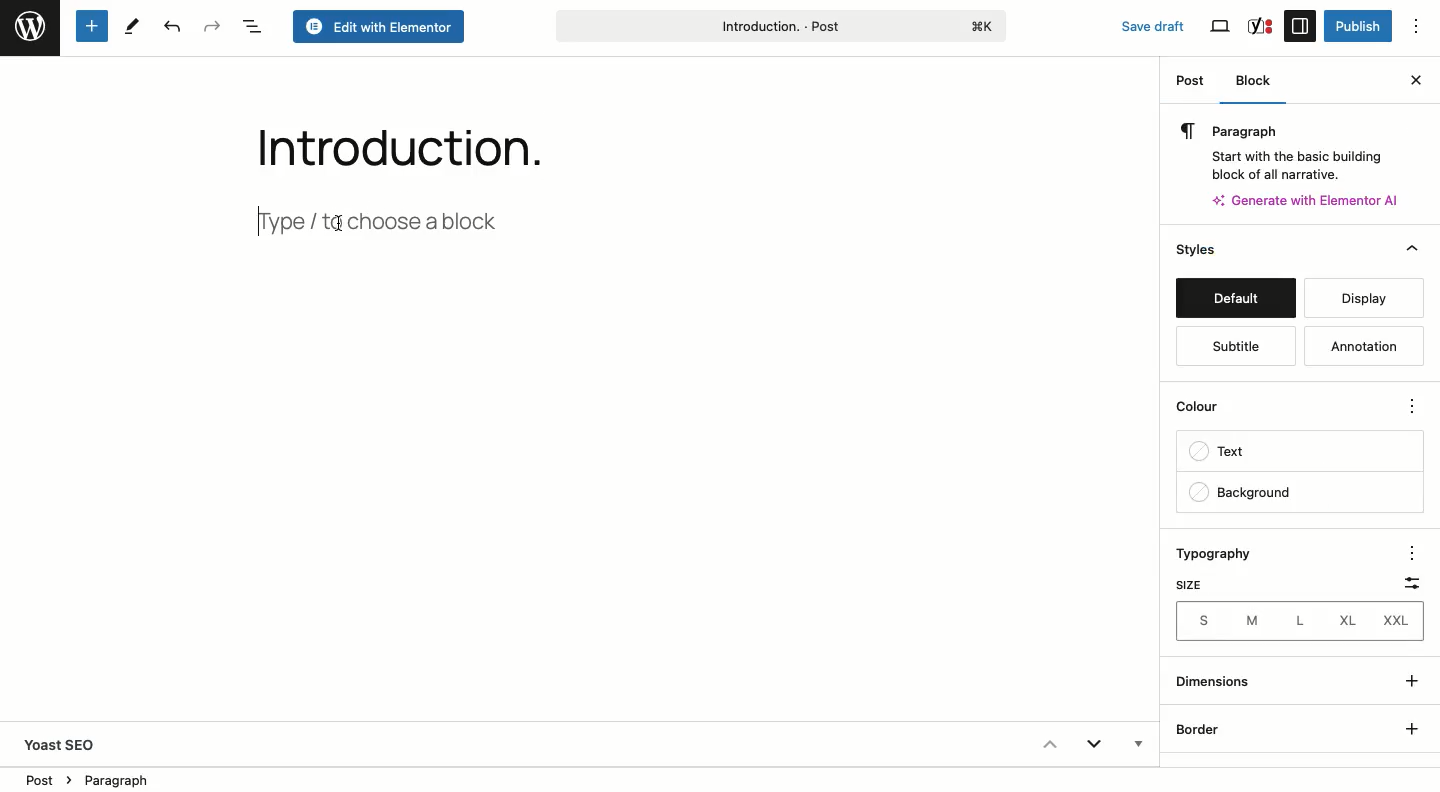 This screenshot has height=792, width=1440. Describe the element at coordinates (380, 28) in the screenshot. I see `Edit with Elementor` at that location.